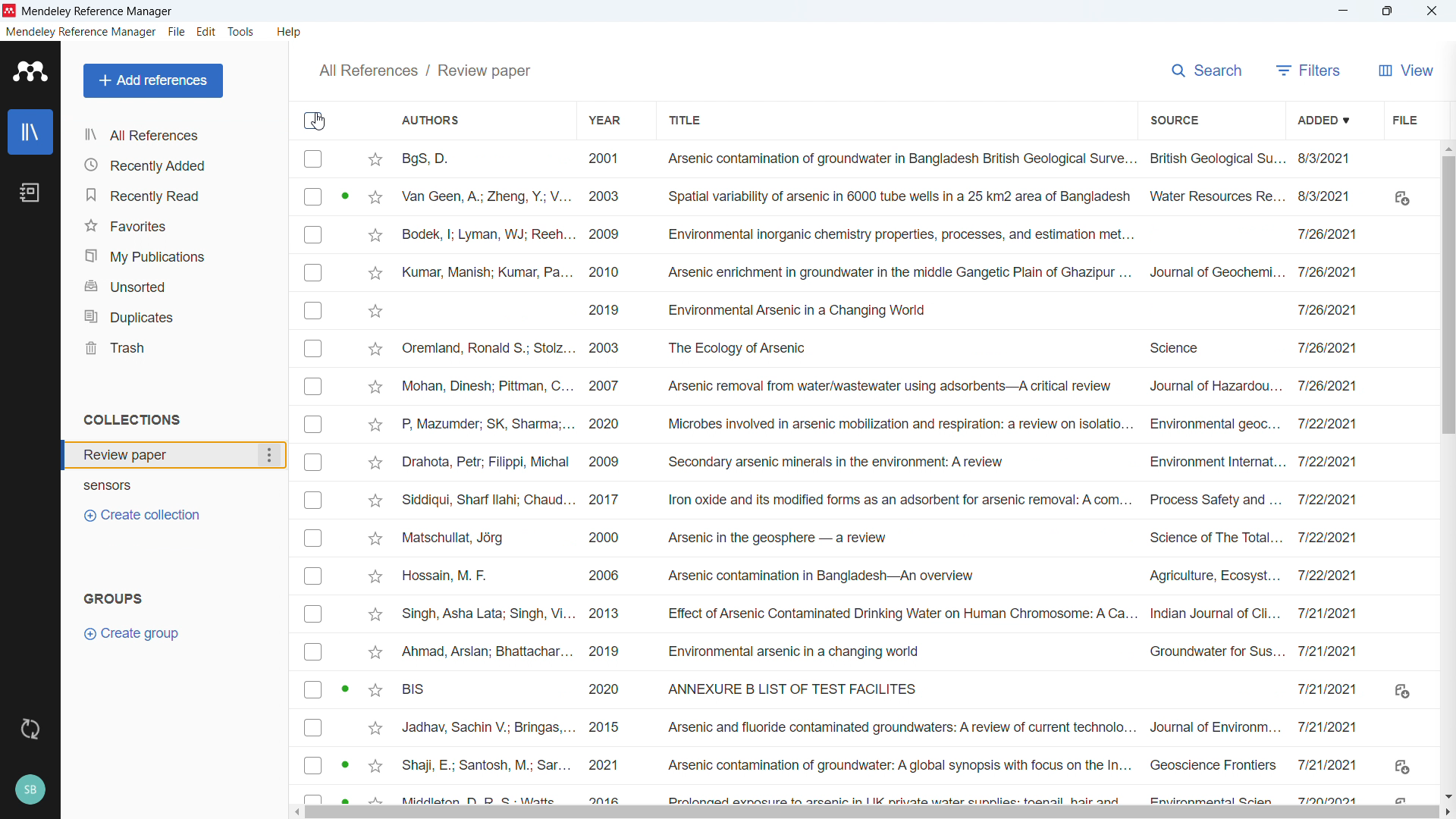  What do you see at coordinates (376, 274) in the screenshot?
I see `Star mark respective publication` at bounding box center [376, 274].